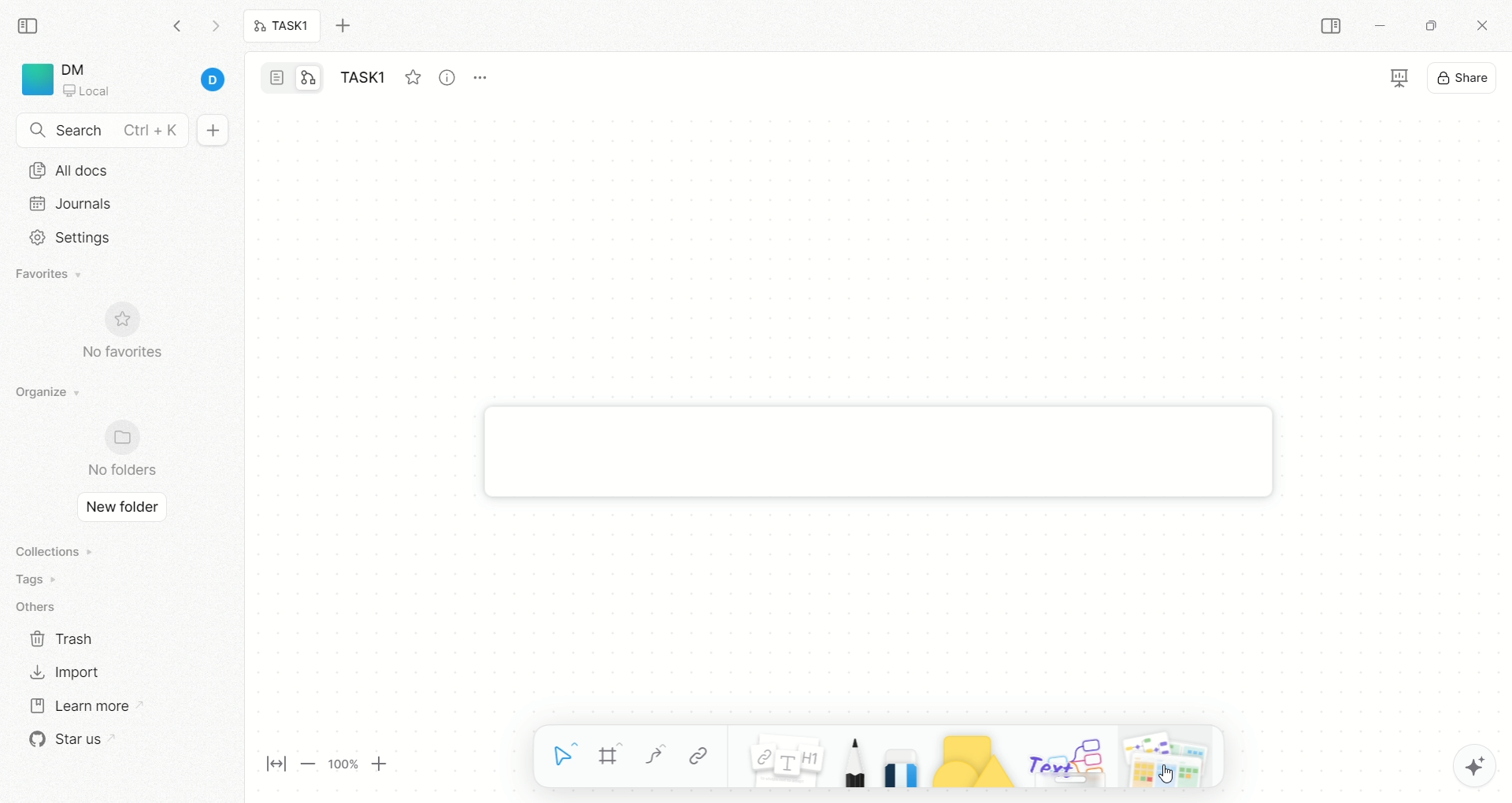  What do you see at coordinates (654, 758) in the screenshot?
I see `curve` at bounding box center [654, 758].